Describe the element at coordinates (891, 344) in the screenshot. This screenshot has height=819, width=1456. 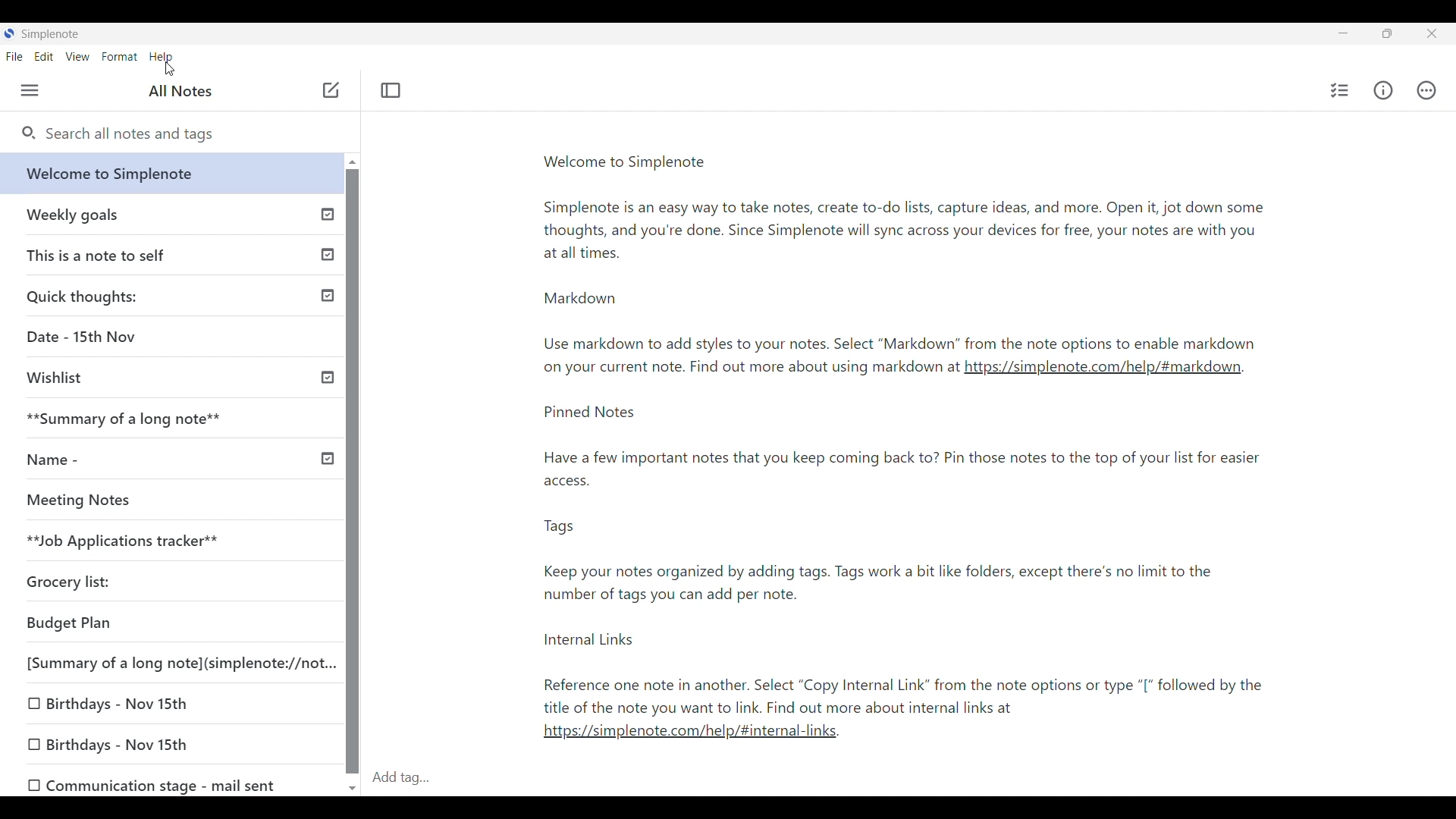
I see `Use markdown to add styles to your notes. Select “Markdown” from the note options to enable markdown` at that location.